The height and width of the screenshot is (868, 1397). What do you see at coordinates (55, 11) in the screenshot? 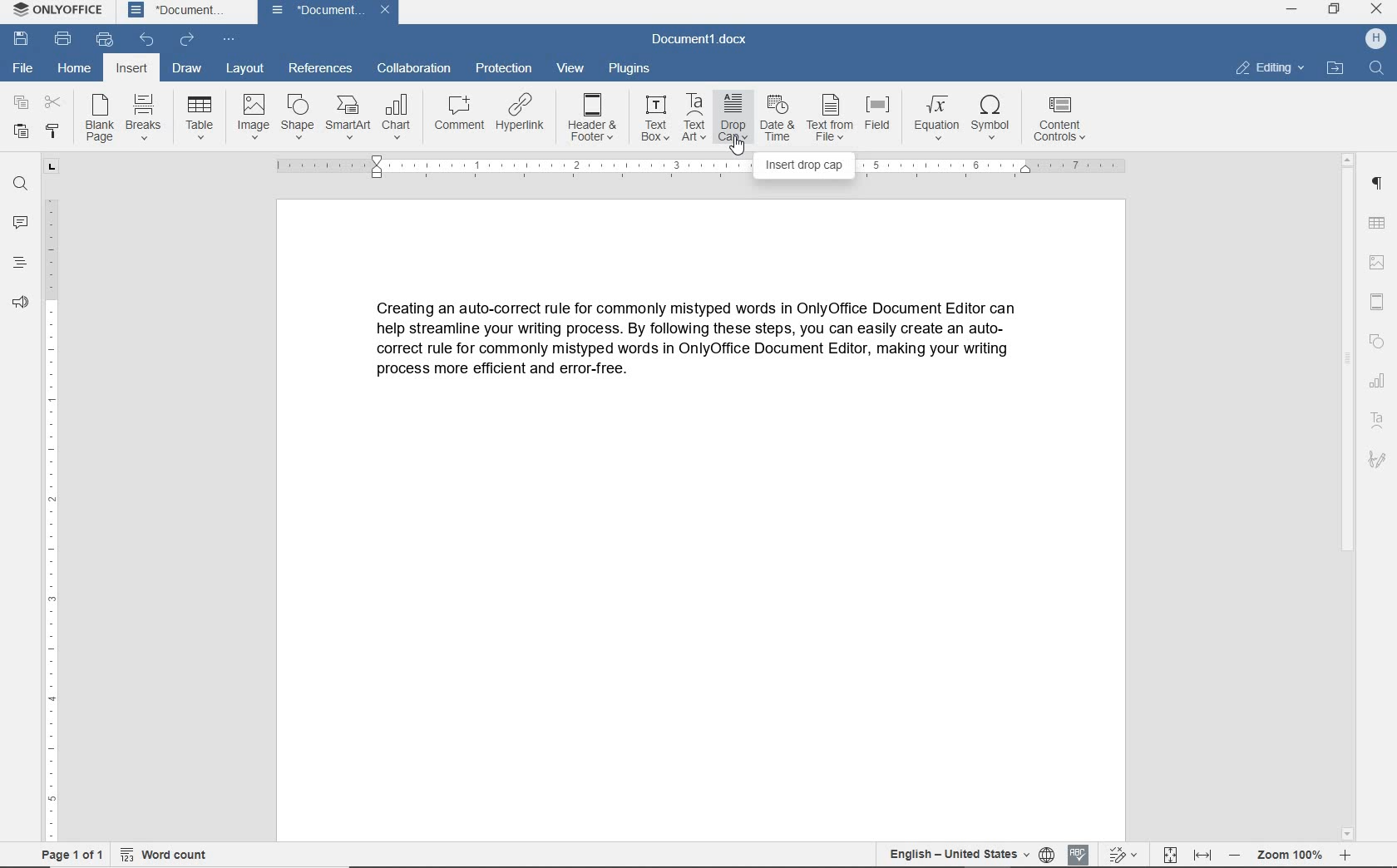
I see `system name` at bounding box center [55, 11].